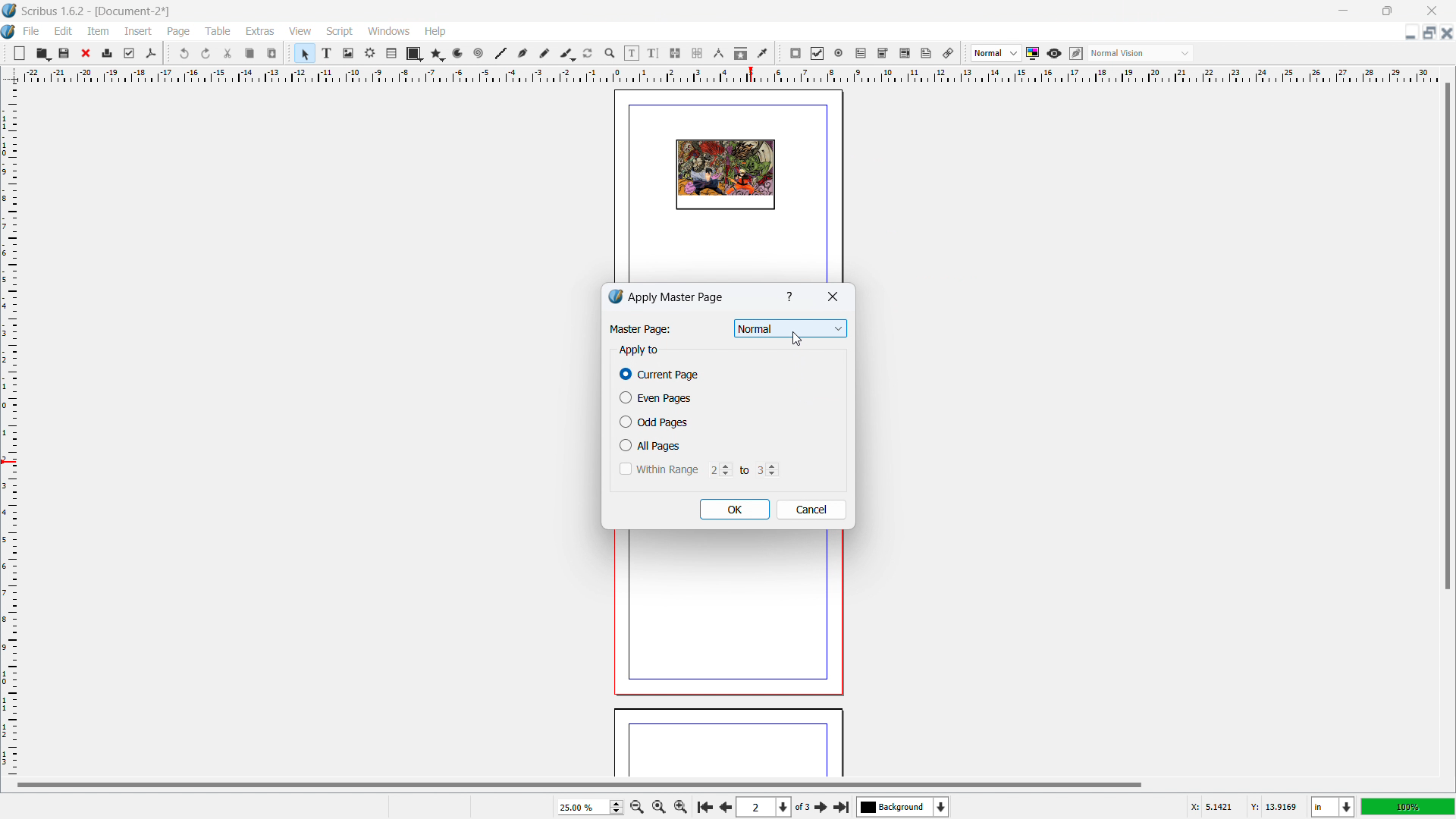 The image size is (1456, 819). I want to click on cut, so click(229, 53).